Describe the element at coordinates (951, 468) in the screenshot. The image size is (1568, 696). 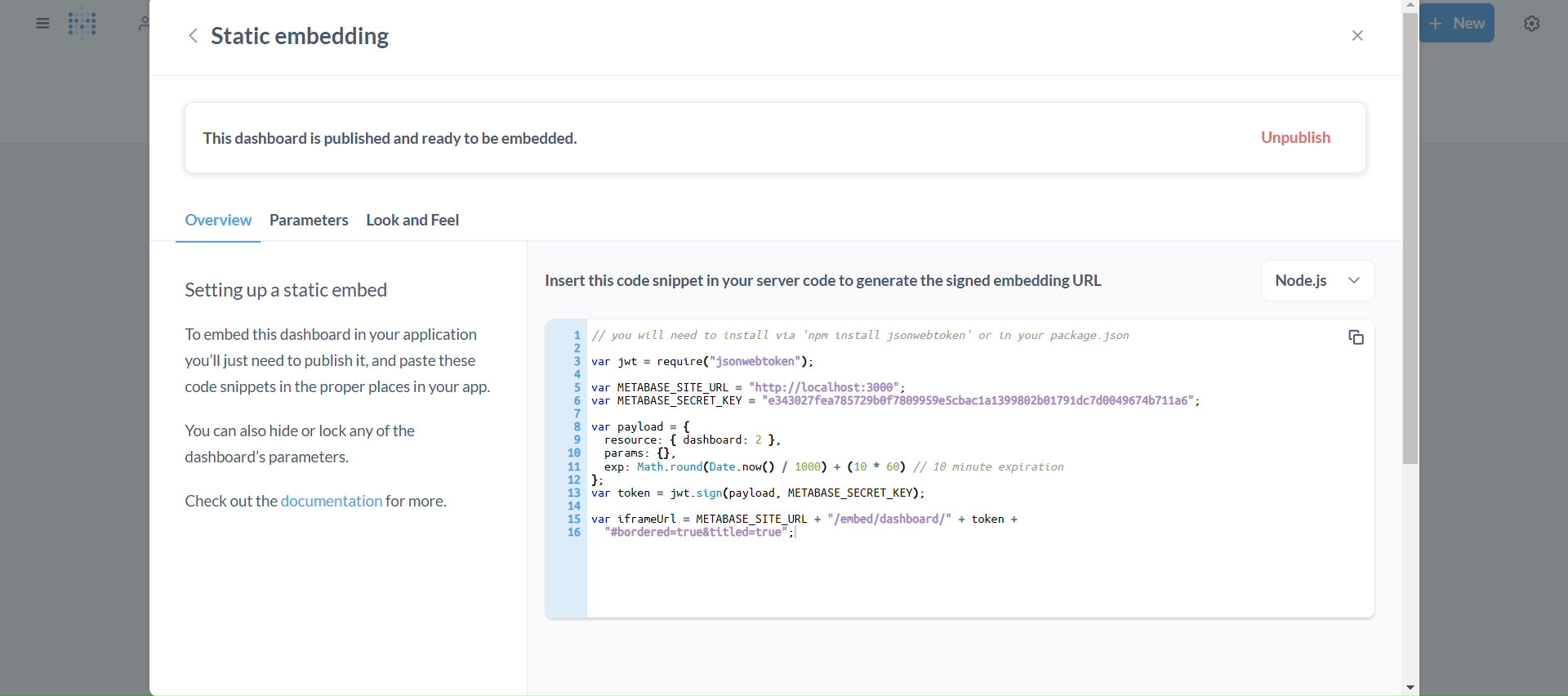
I see `embedding link` at that location.